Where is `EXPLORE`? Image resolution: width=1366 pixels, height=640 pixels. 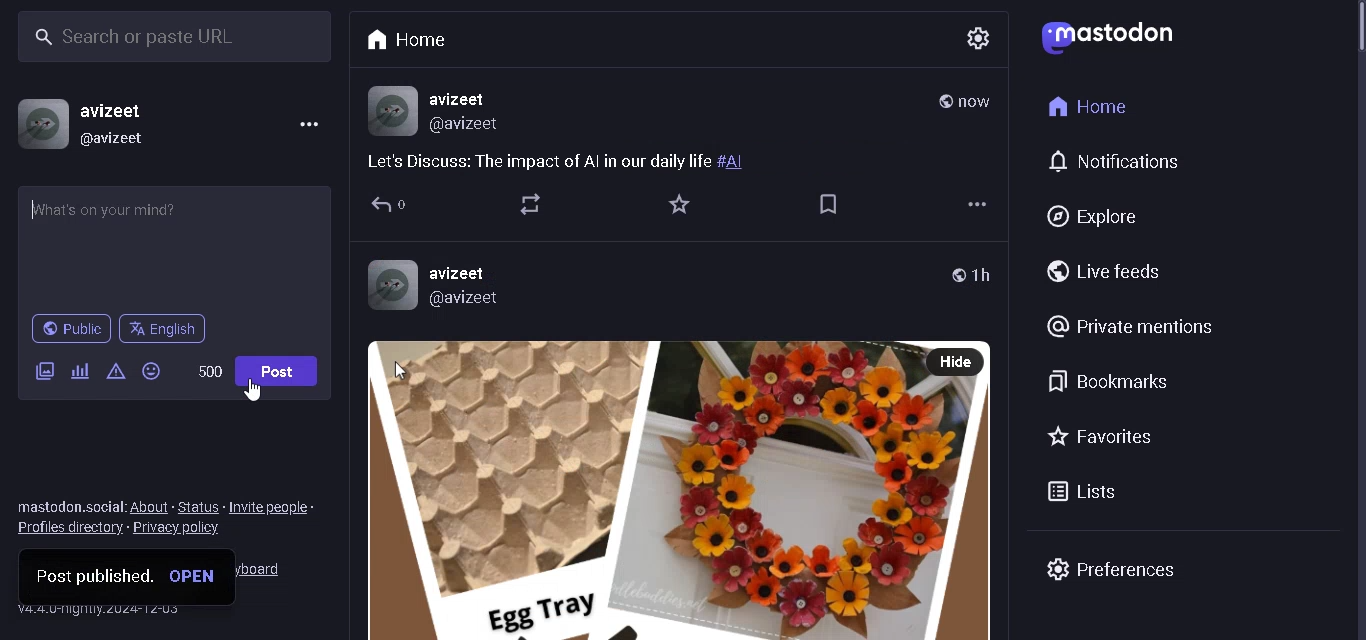
EXPLORE is located at coordinates (1091, 214).